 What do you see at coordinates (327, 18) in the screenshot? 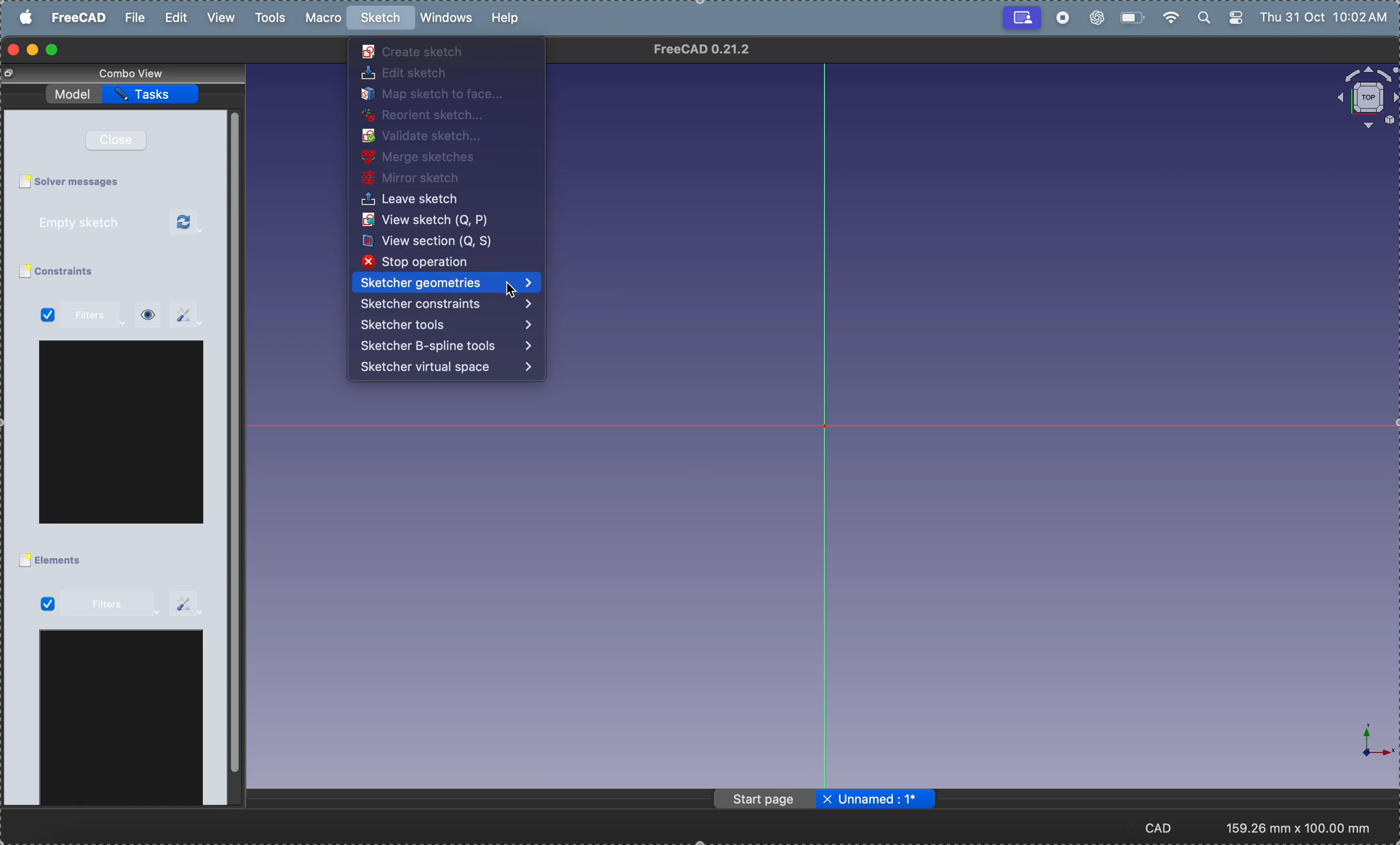
I see `marco` at bounding box center [327, 18].